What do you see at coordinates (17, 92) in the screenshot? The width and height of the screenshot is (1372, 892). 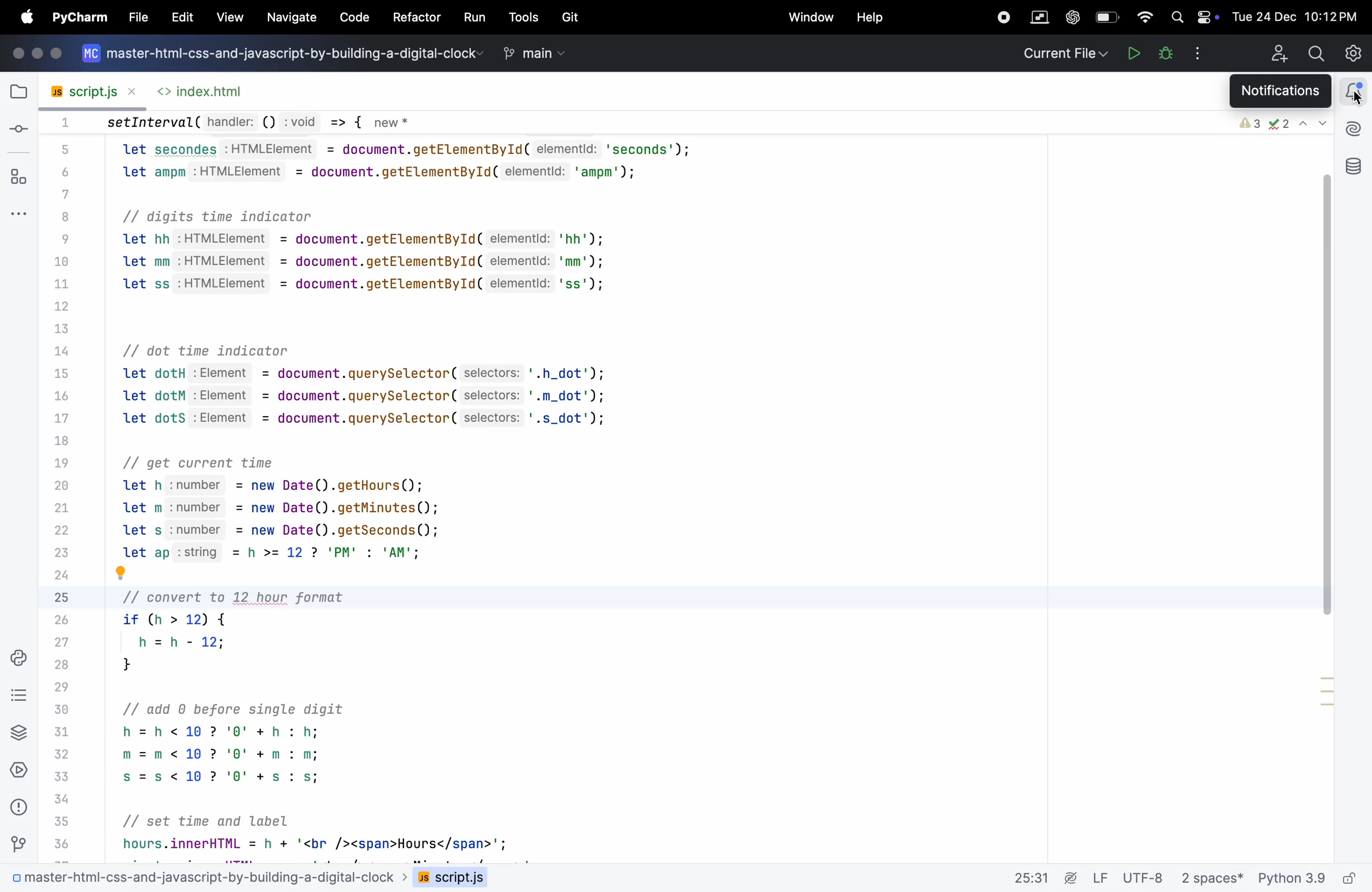 I see `file` at bounding box center [17, 92].